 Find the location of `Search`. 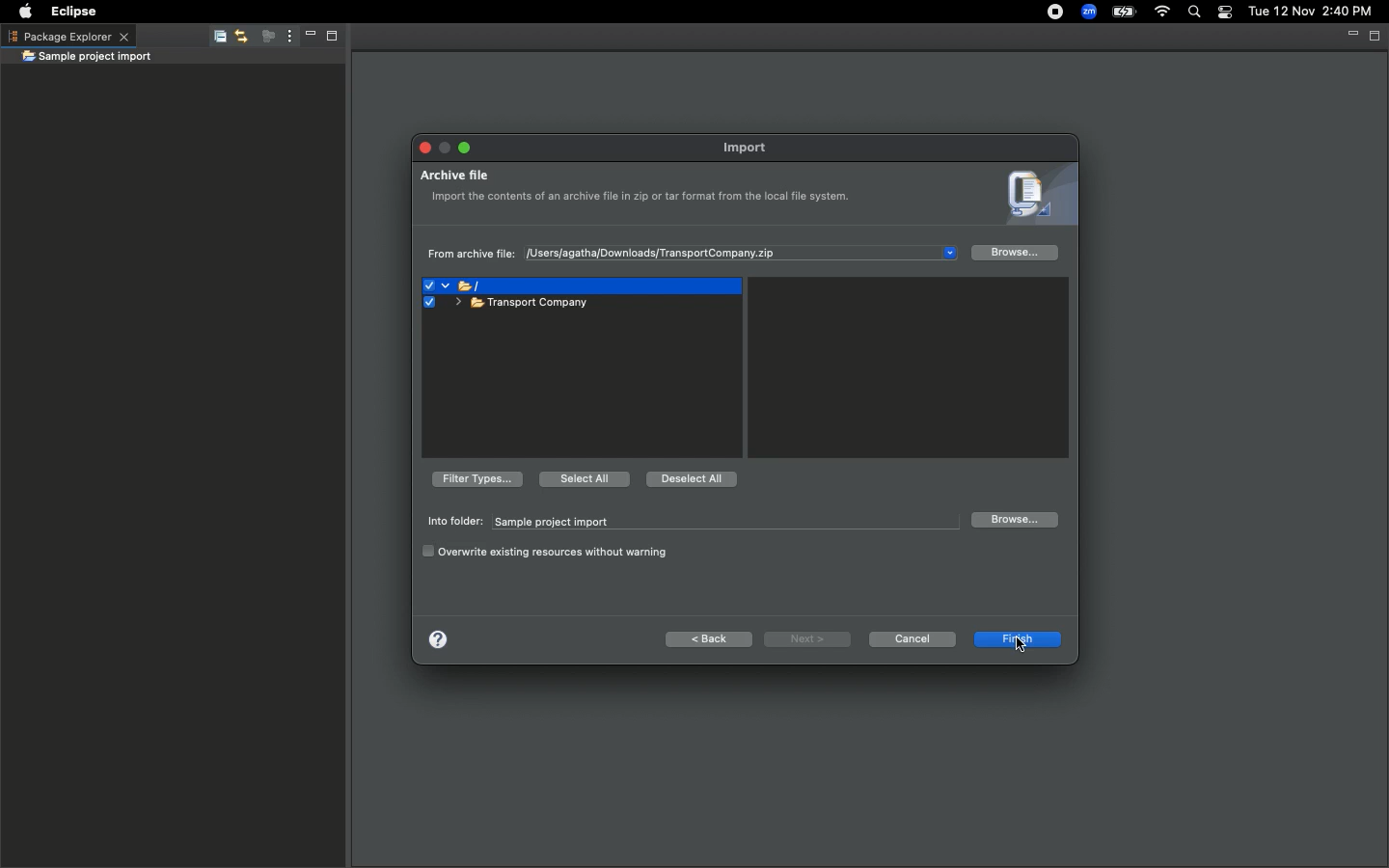

Search is located at coordinates (1192, 13).